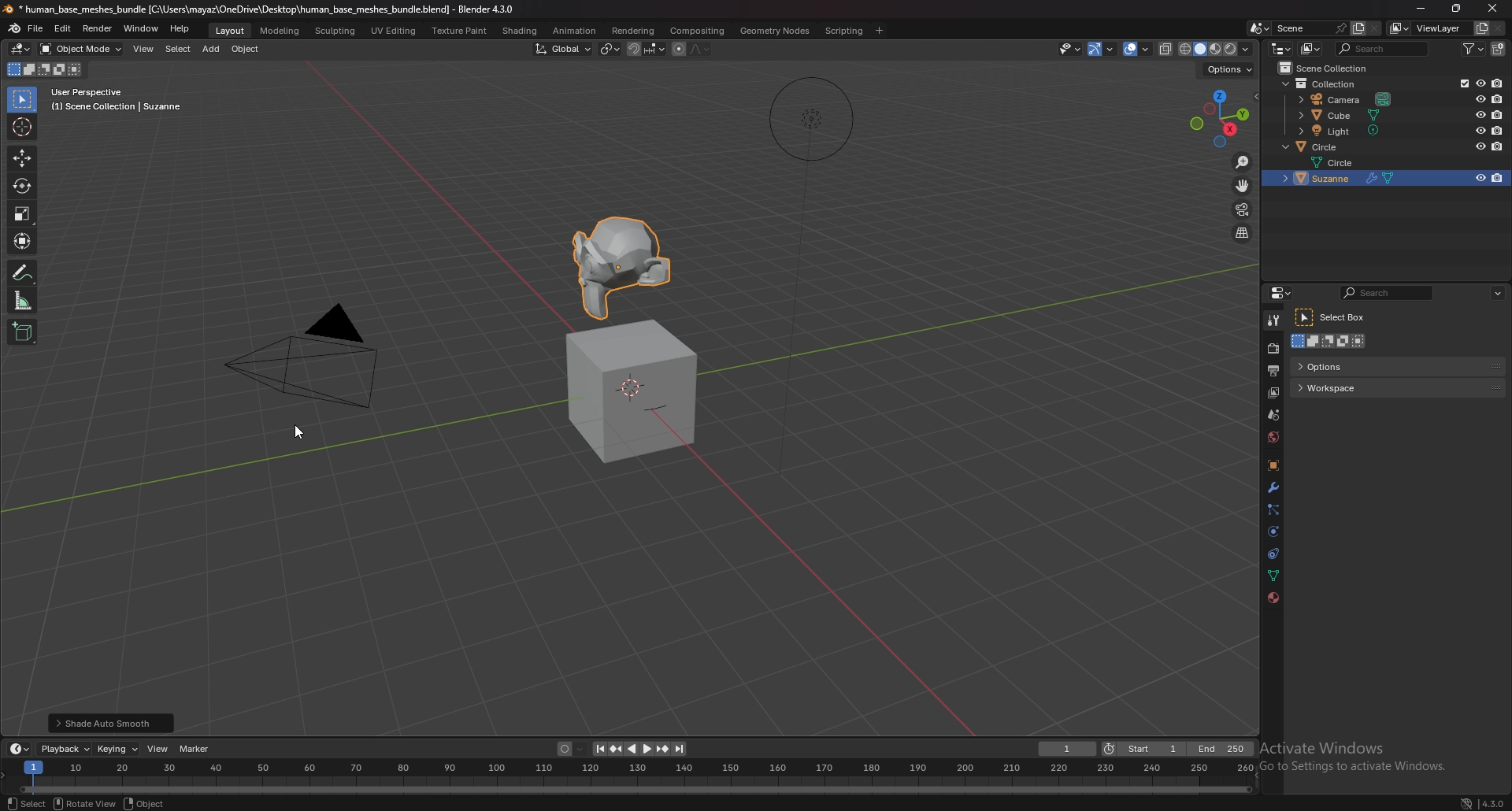  I want to click on suzanne, so click(1352, 179).